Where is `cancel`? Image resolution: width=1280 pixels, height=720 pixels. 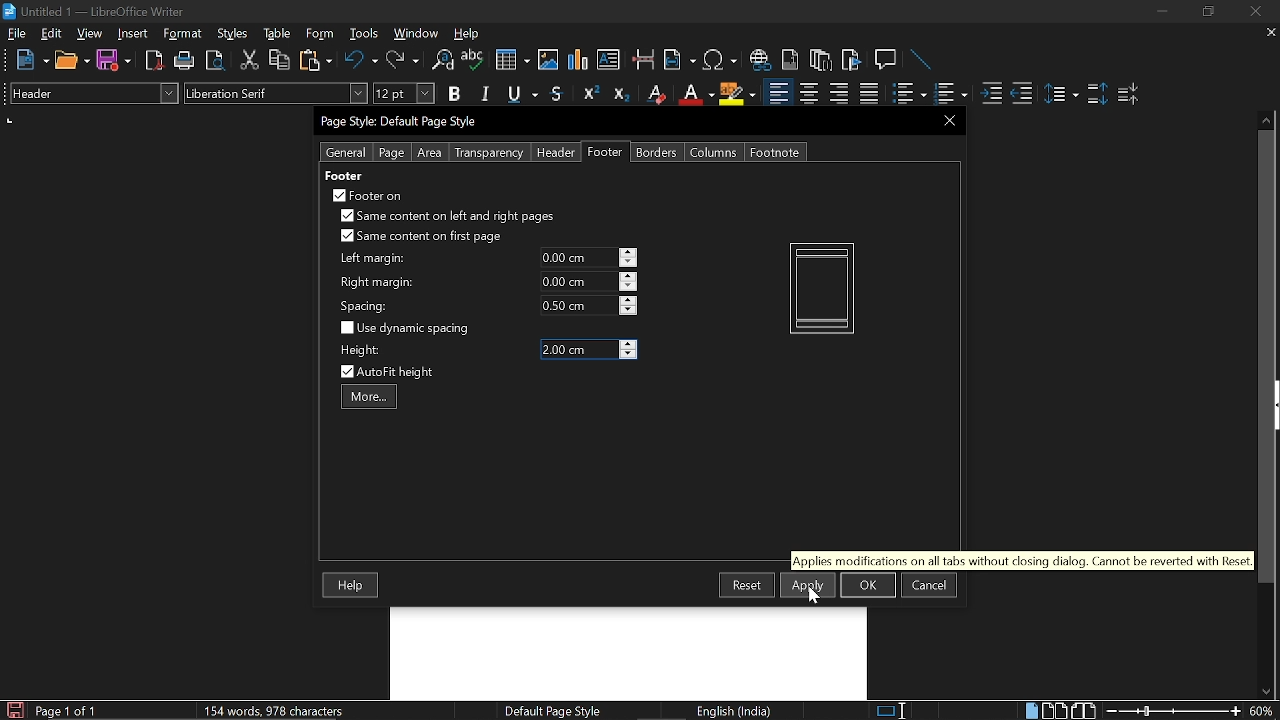
cancel is located at coordinates (929, 585).